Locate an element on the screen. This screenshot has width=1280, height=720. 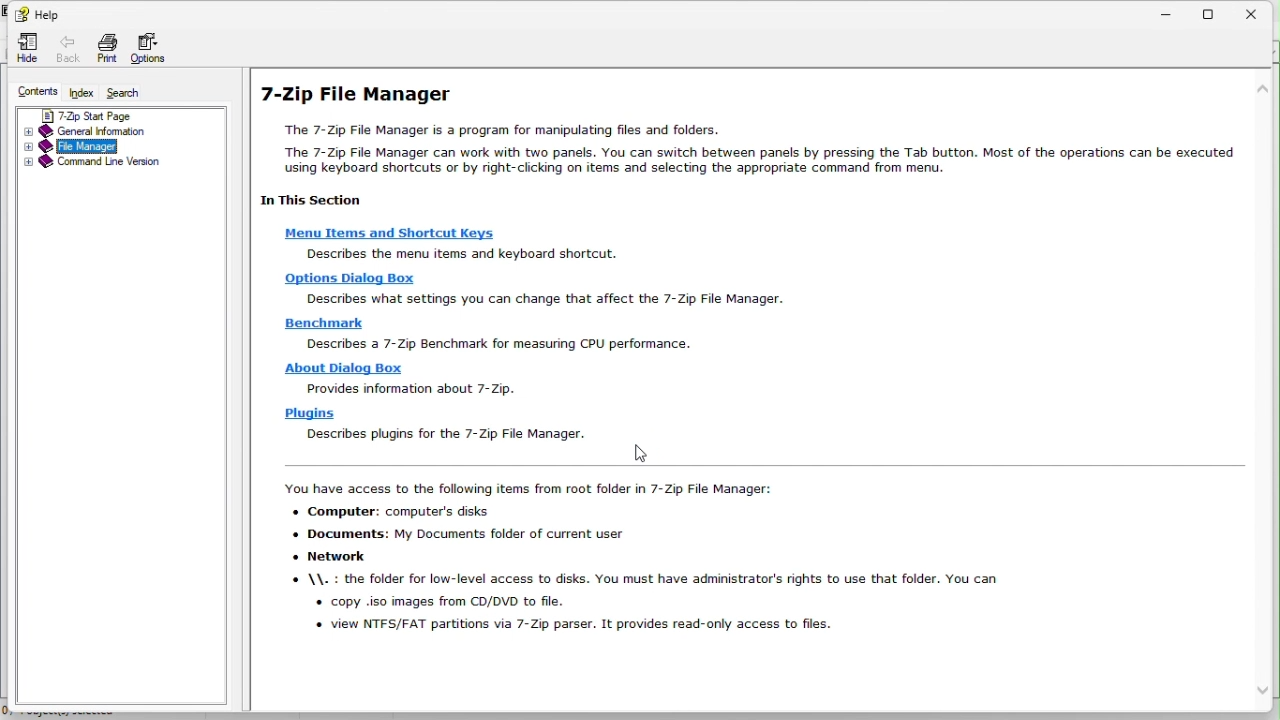
describes plugins for the 7-zip File Manager is located at coordinates (449, 435).